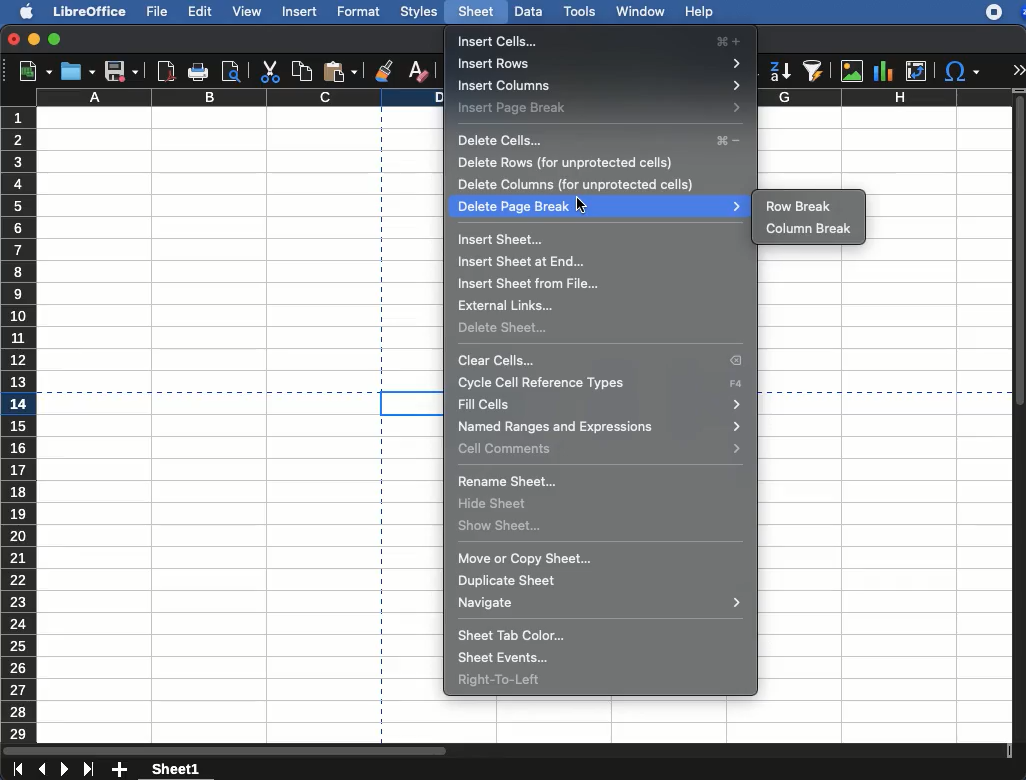 Image resolution: width=1026 pixels, height=780 pixels. I want to click on delete rows (for unprotected cells), so click(566, 163).